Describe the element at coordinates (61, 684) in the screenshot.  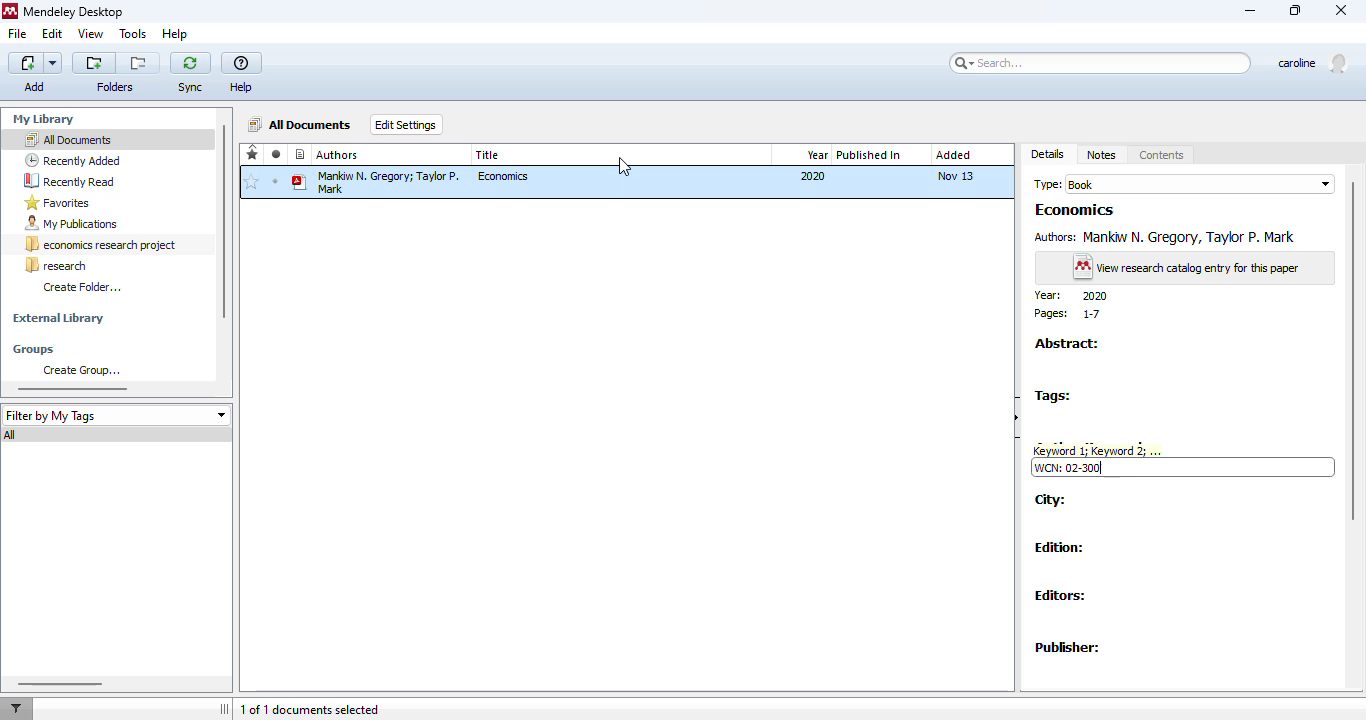
I see `horizontal scroll bar` at that location.